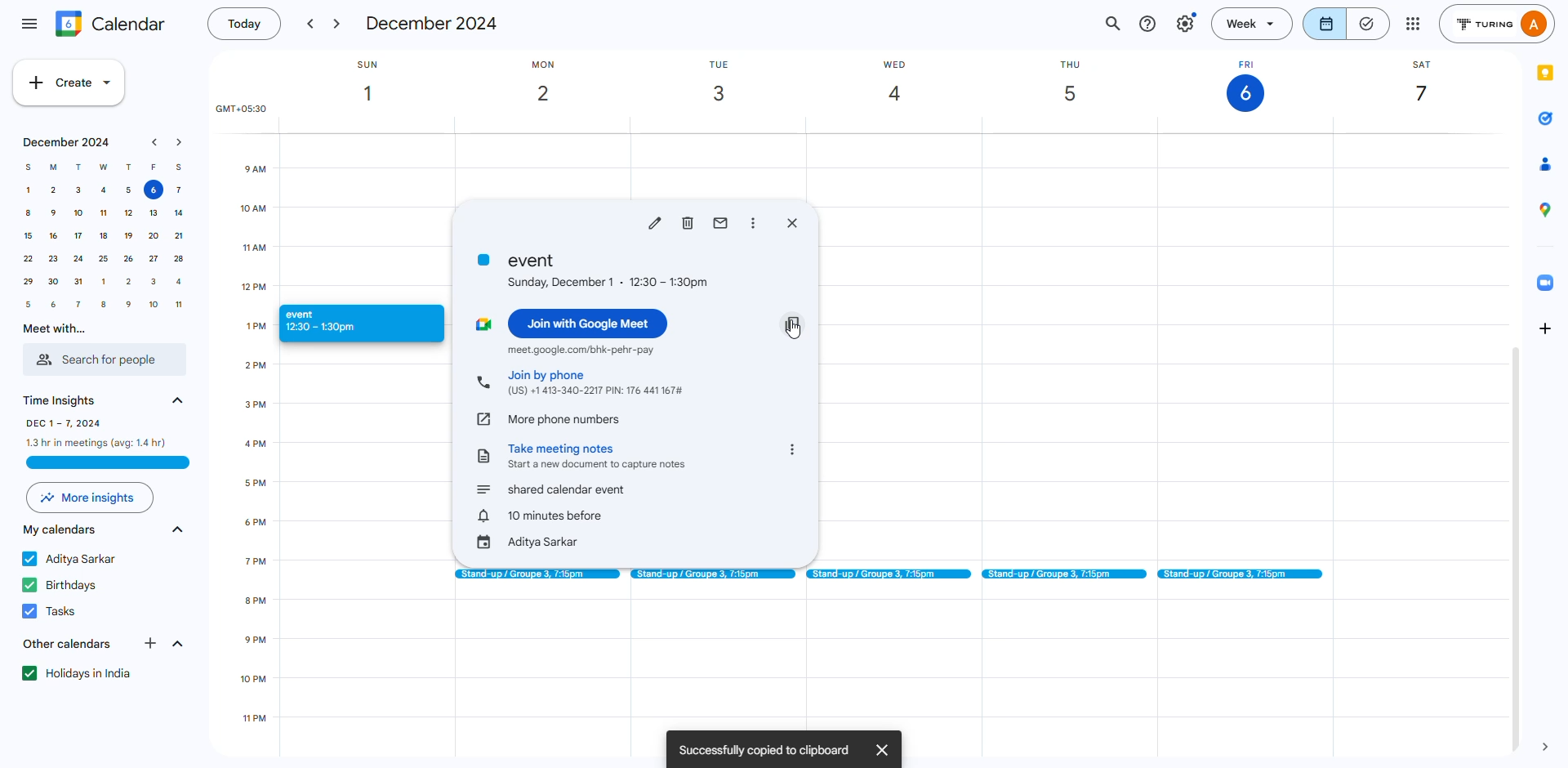 The width and height of the screenshot is (1568, 768). I want to click on S, so click(29, 167).